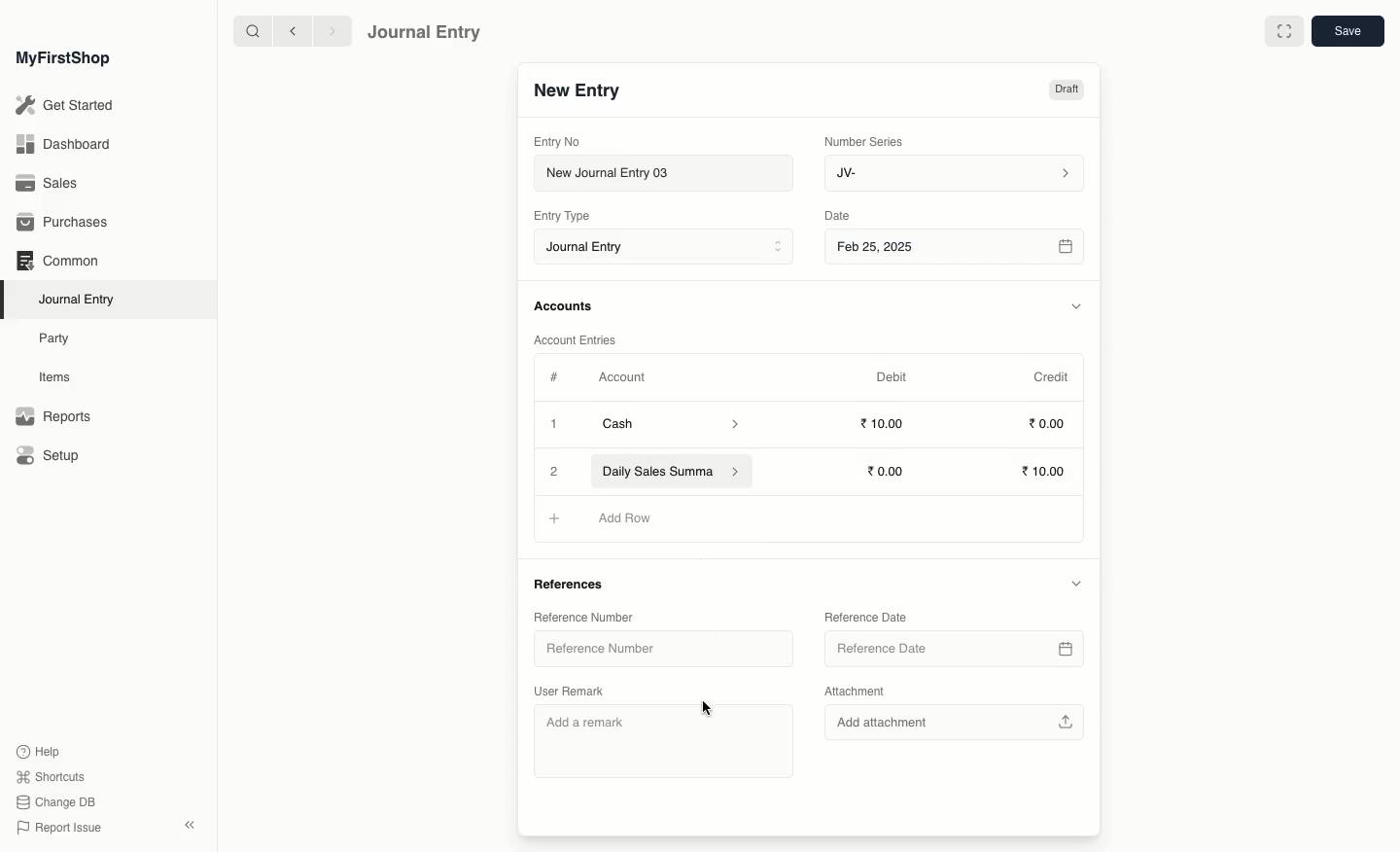  I want to click on Cash, so click(670, 424).